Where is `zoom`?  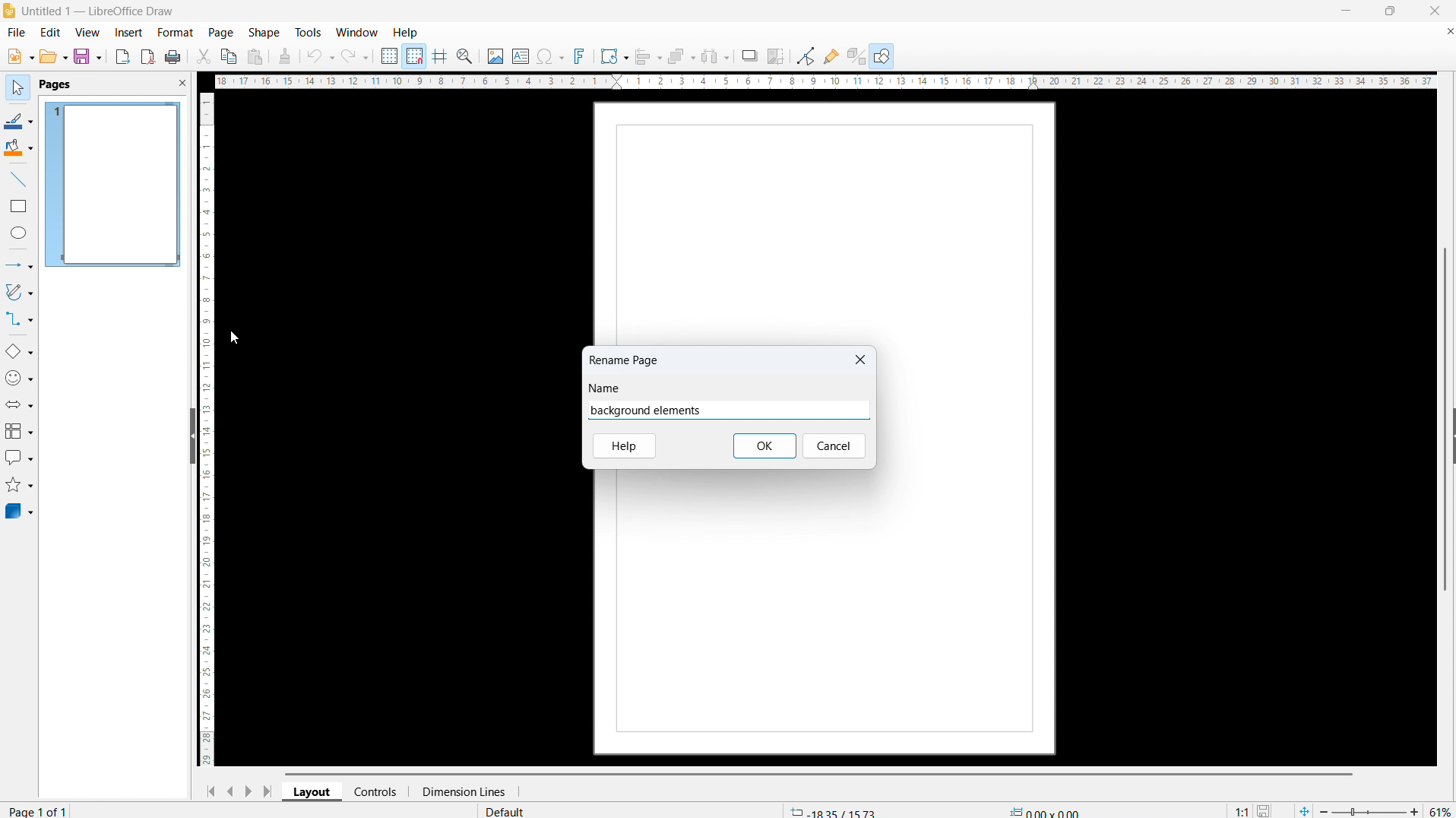 zoom is located at coordinates (465, 55).